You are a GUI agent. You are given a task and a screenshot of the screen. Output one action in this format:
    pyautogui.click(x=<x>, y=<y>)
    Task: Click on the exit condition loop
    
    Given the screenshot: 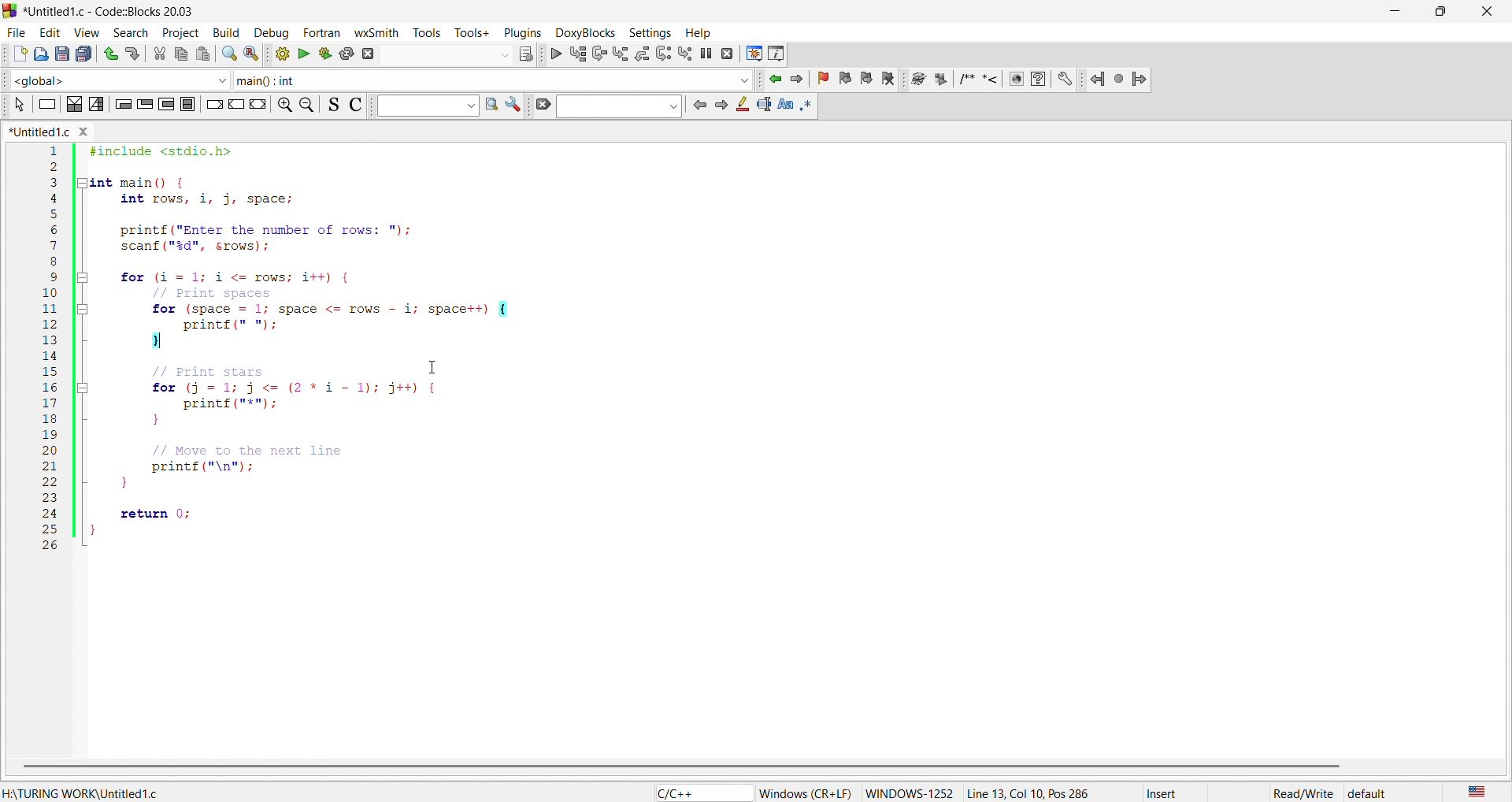 What is the action you would take?
    pyautogui.click(x=145, y=104)
    